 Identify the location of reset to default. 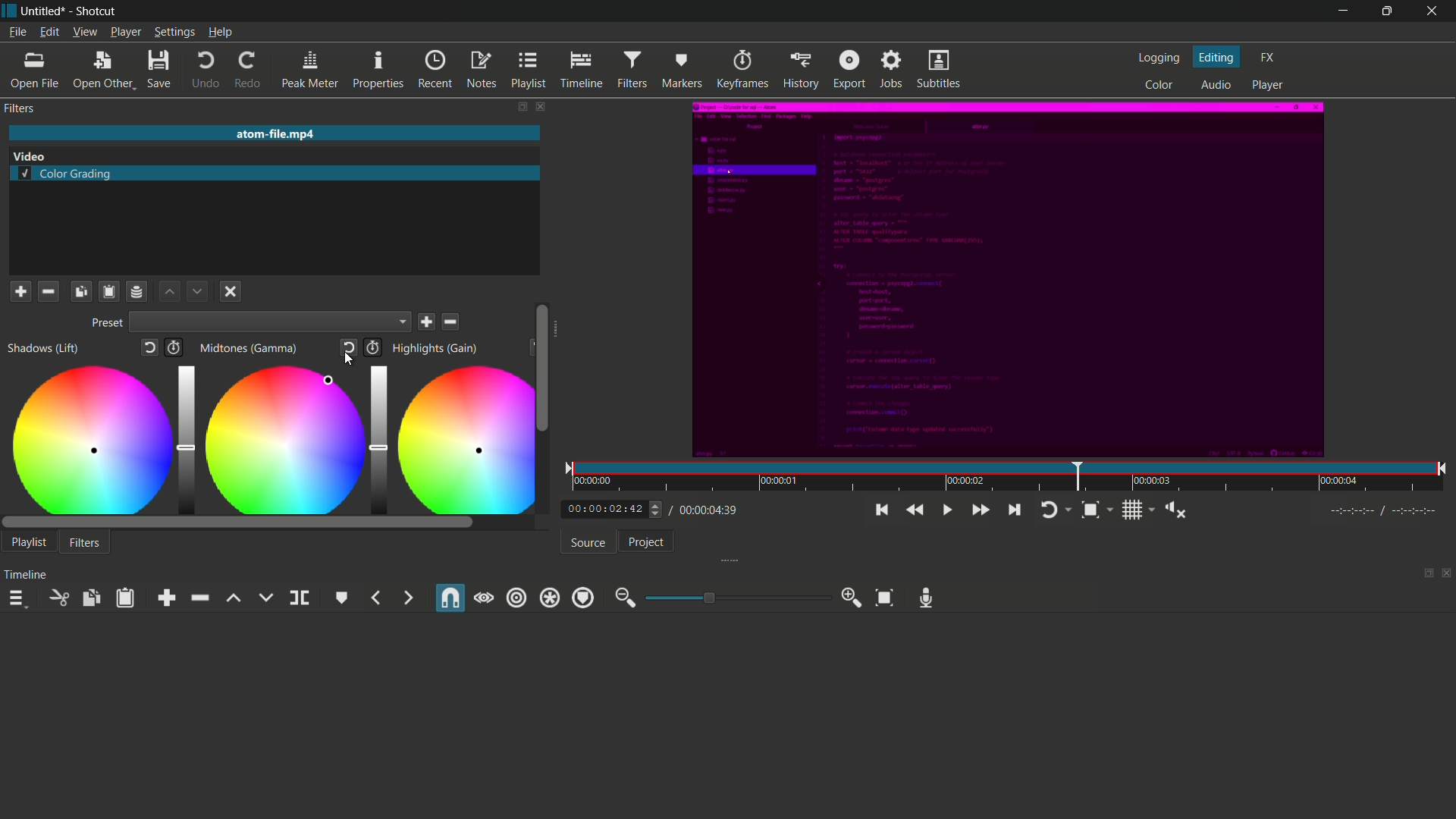
(151, 350).